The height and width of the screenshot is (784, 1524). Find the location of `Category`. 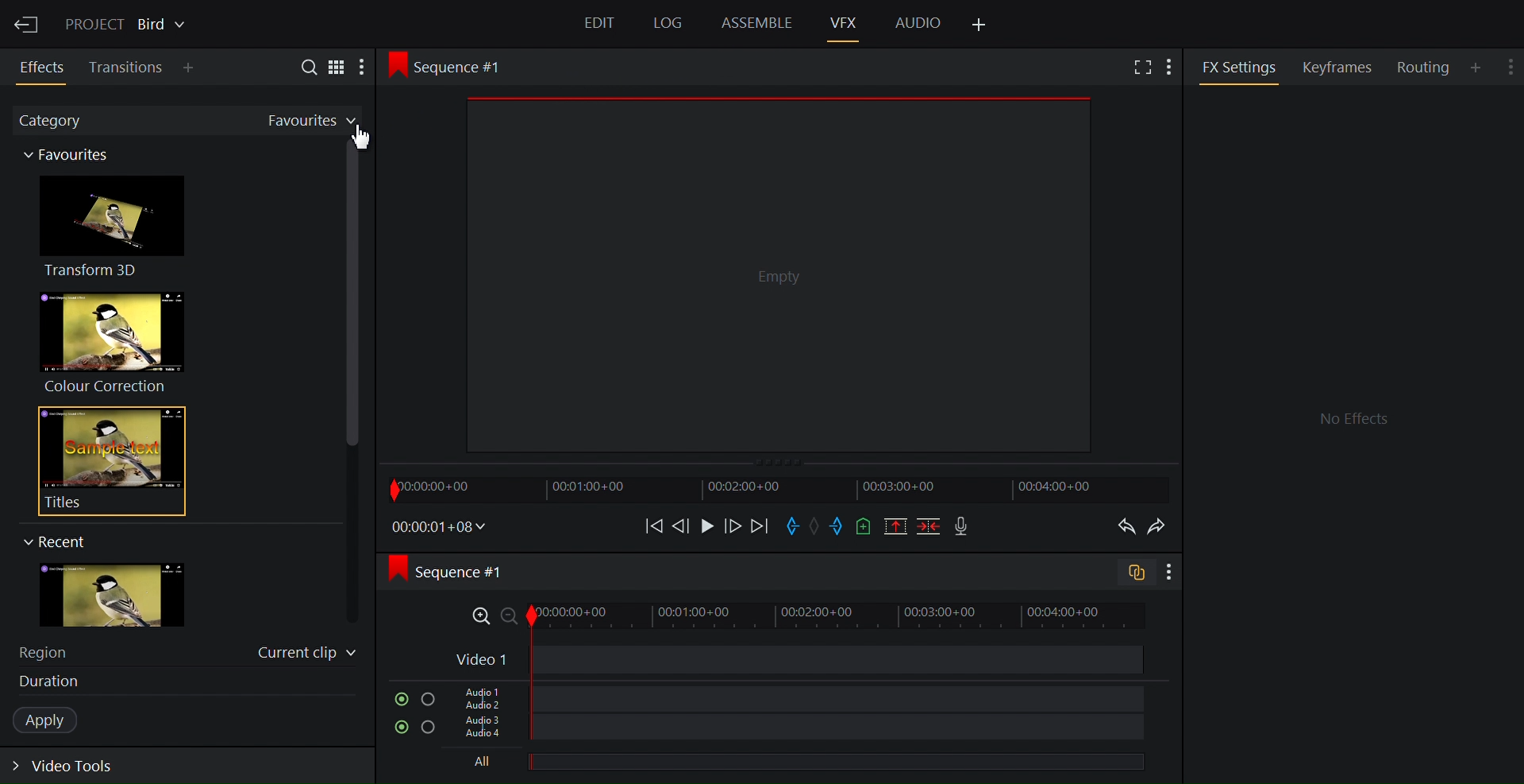

Category is located at coordinates (59, 123).